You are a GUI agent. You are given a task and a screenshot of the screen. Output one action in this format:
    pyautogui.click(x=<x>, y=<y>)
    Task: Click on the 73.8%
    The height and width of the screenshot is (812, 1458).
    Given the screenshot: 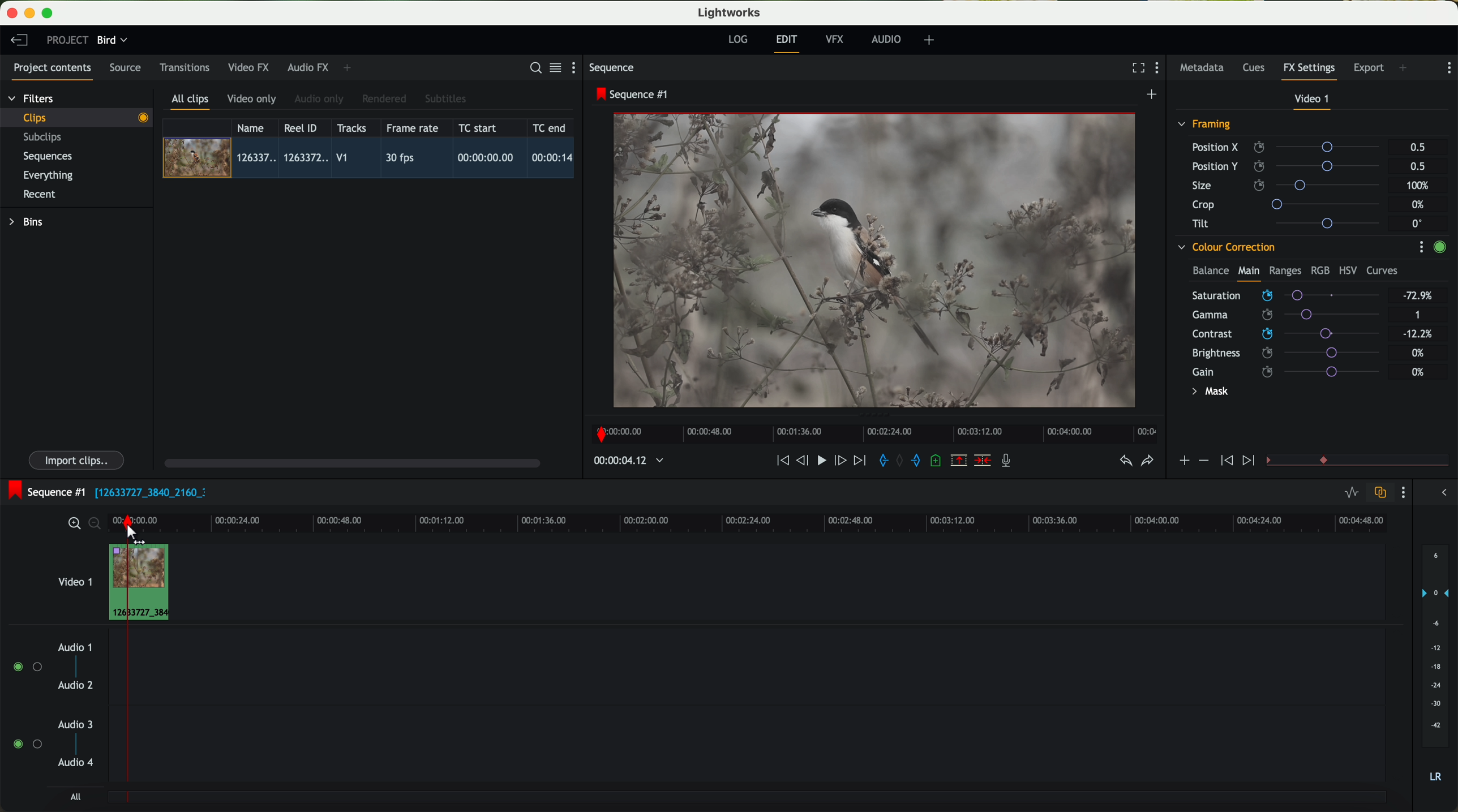 What is the action you would take?
    pyautogui.click(x=1418, y=296)
    